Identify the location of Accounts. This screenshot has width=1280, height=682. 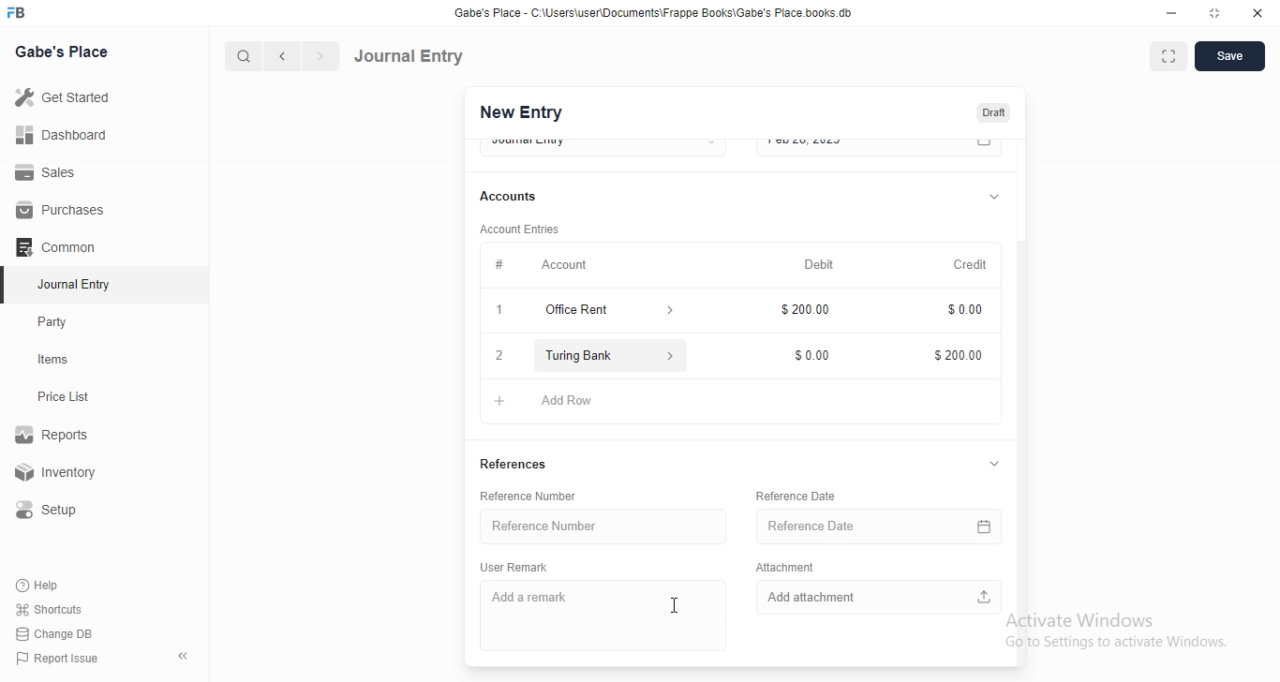
(511, 196).